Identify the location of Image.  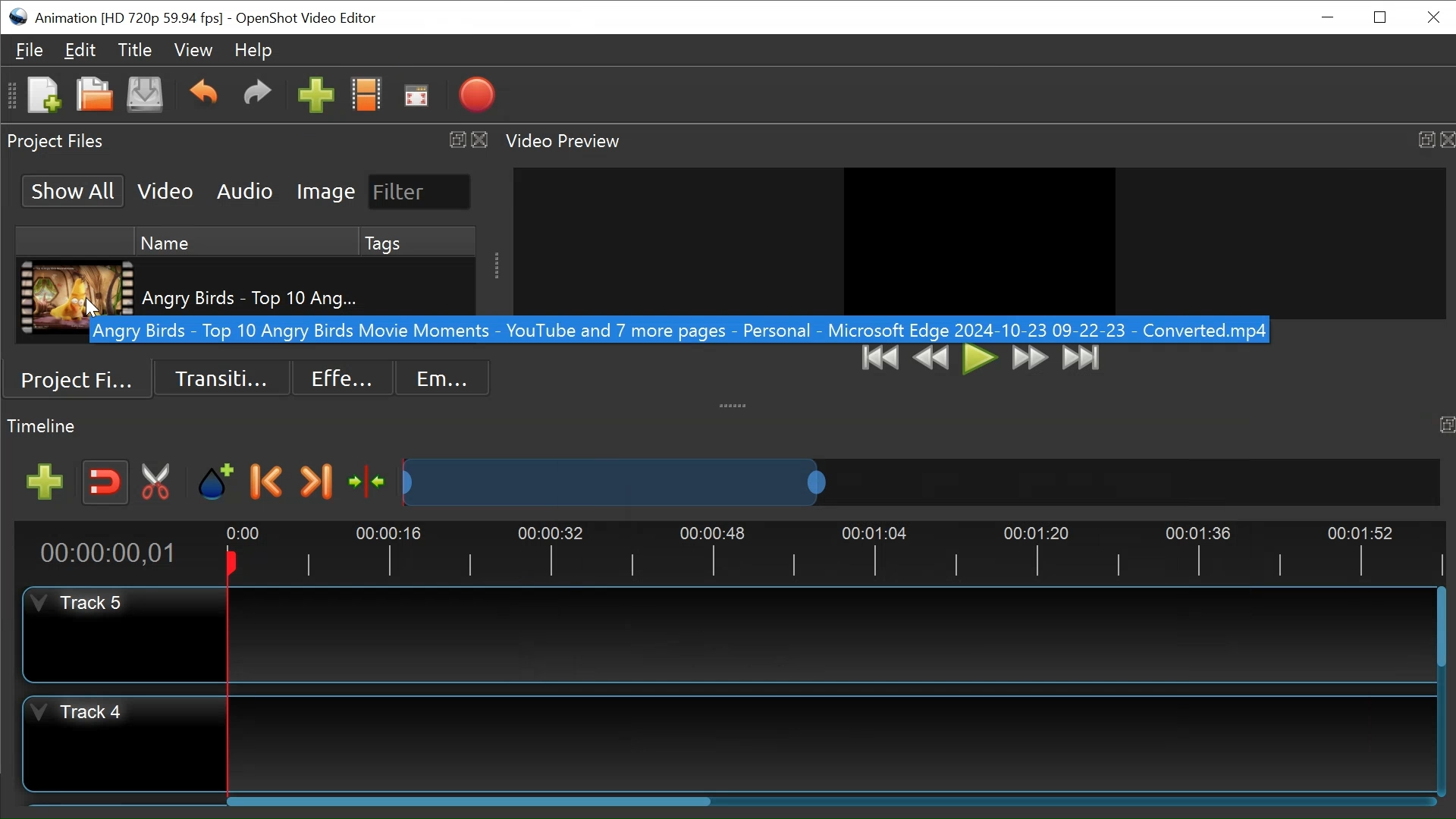
(326, 191).